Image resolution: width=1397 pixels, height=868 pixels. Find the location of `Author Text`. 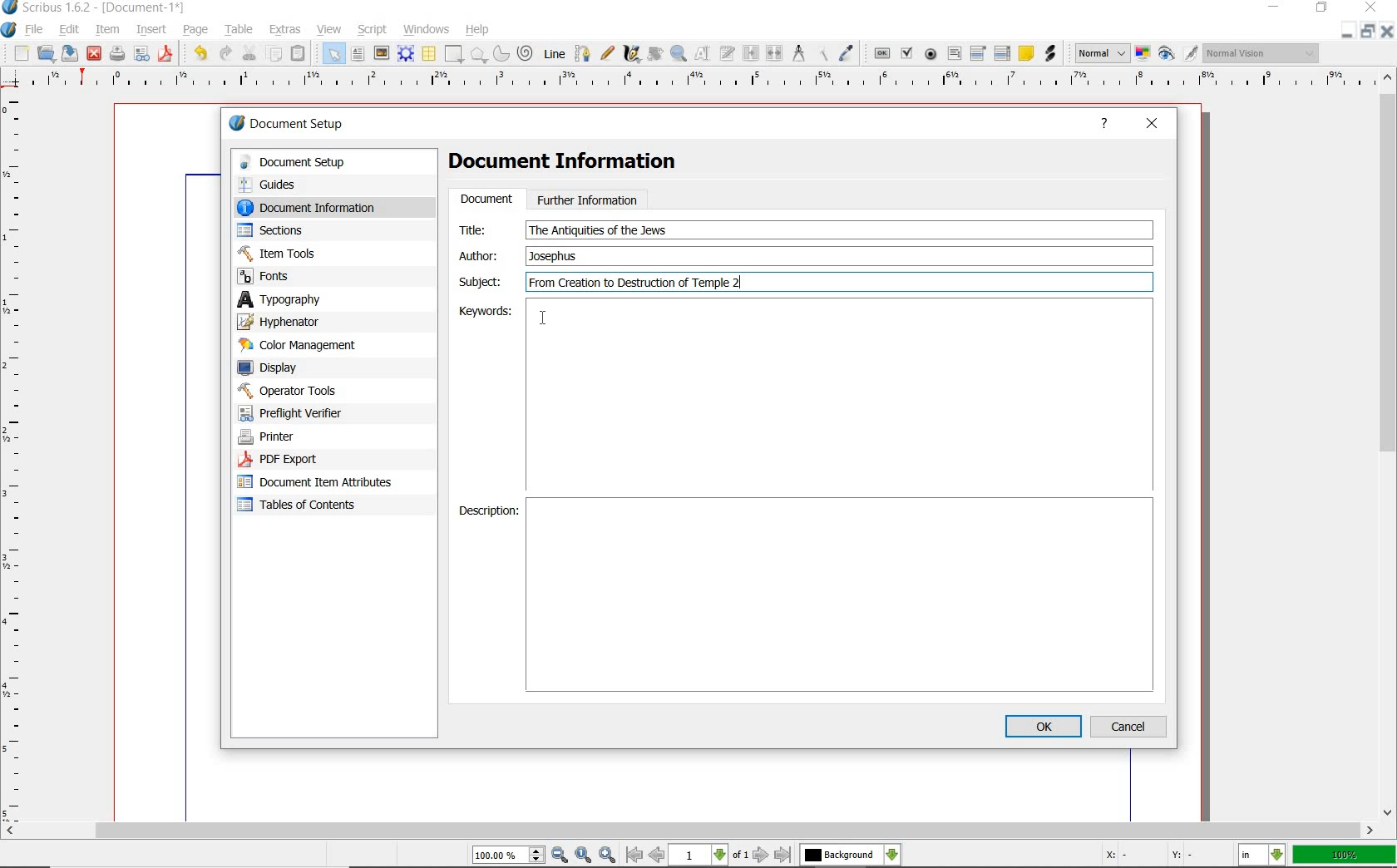

Author Text is located at coordinates (556, 255).